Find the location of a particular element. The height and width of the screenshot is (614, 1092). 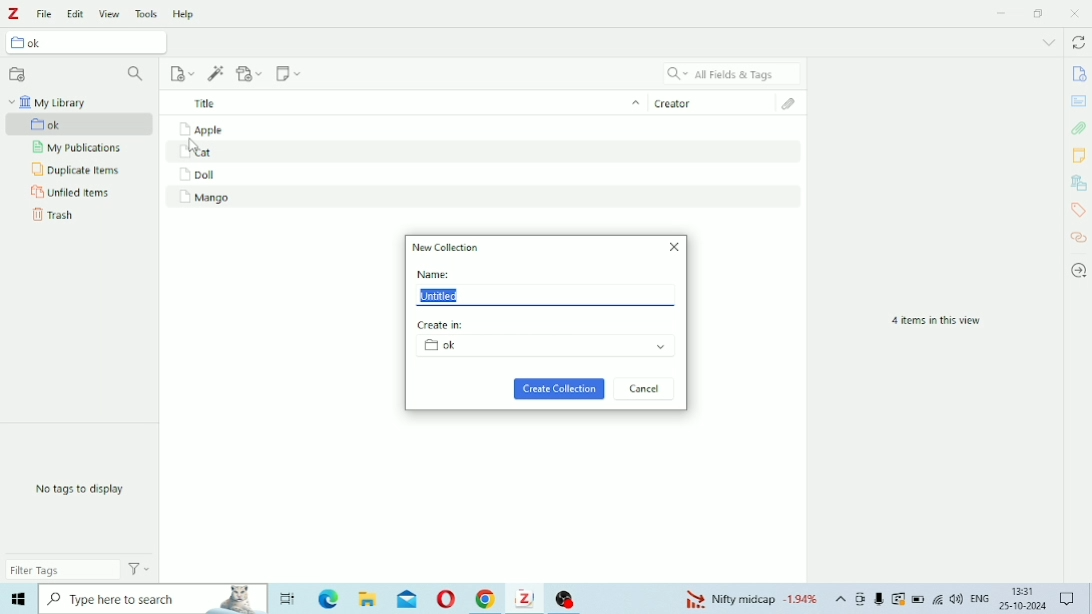

Tags is located at coordinates (1078, 210).